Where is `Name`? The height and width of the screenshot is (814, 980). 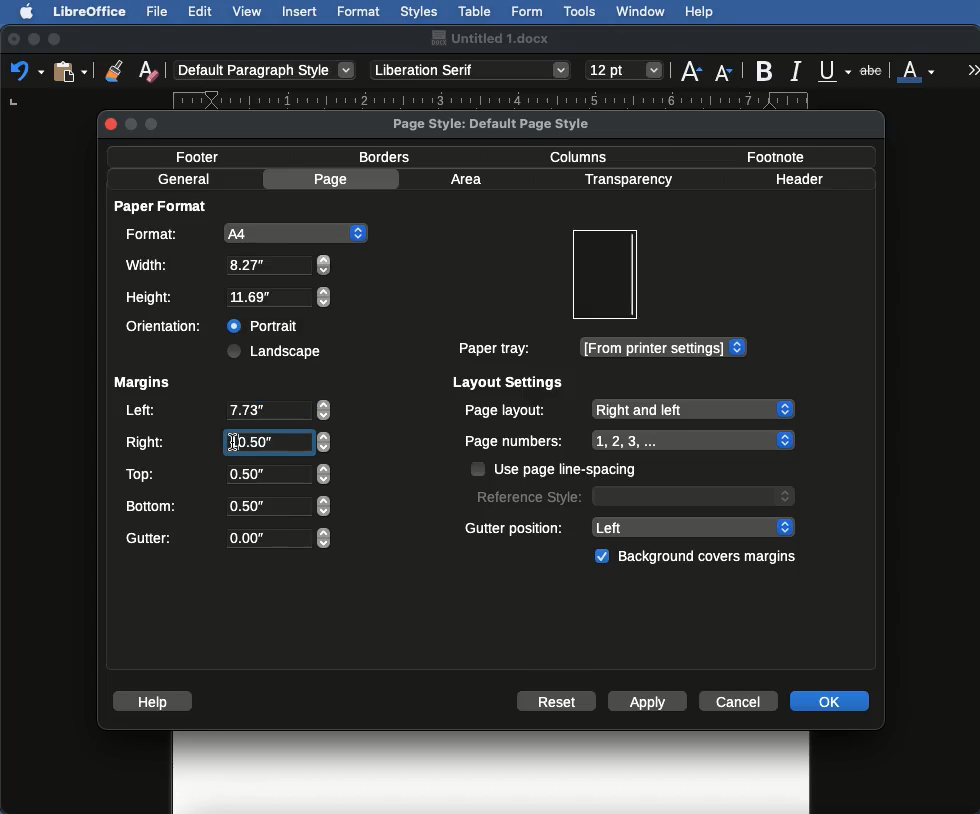 Name is located at coordinates (489, 38).